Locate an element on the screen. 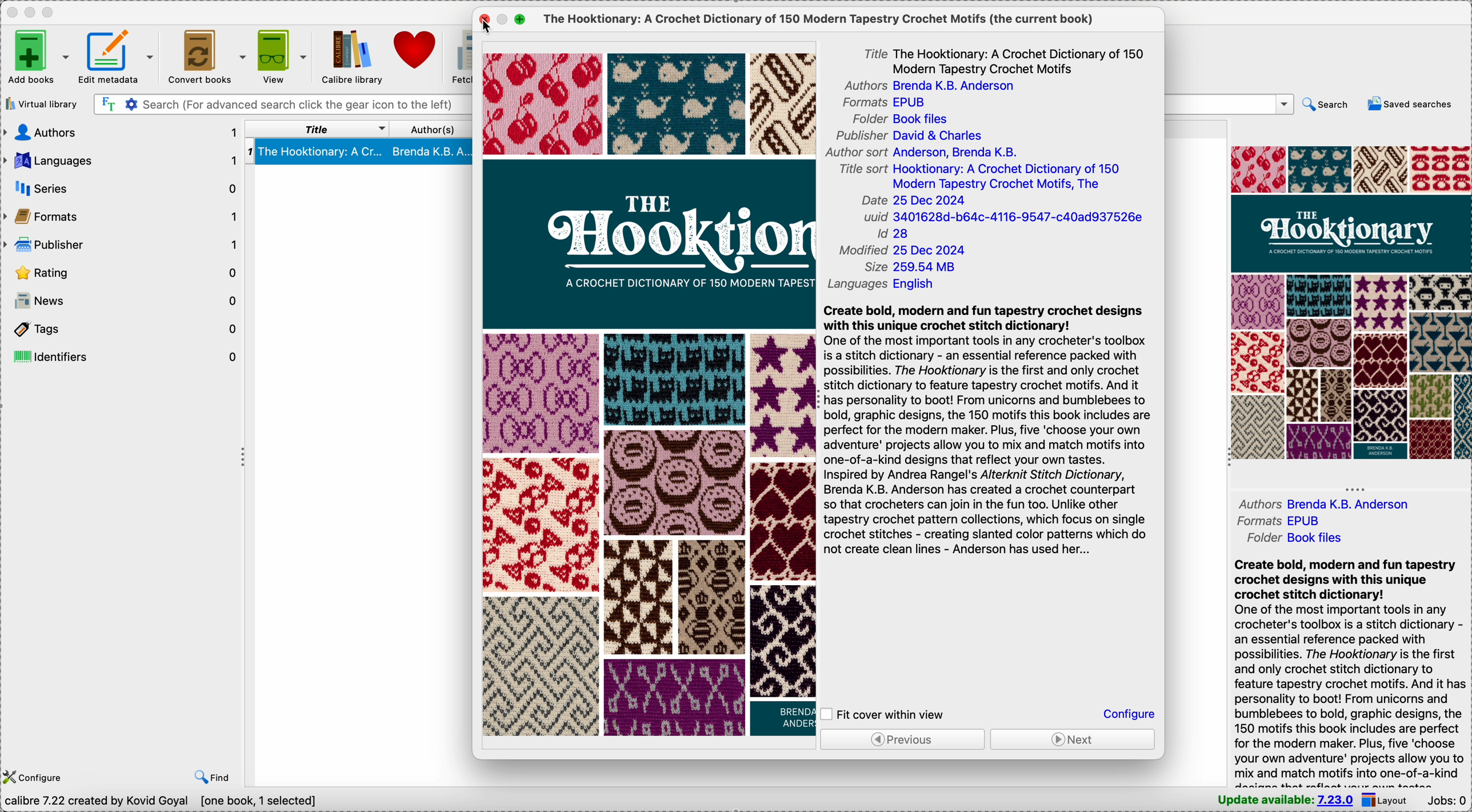 This screenshot has width=1472, height=812. book selected is located at coordinates (360, 154).